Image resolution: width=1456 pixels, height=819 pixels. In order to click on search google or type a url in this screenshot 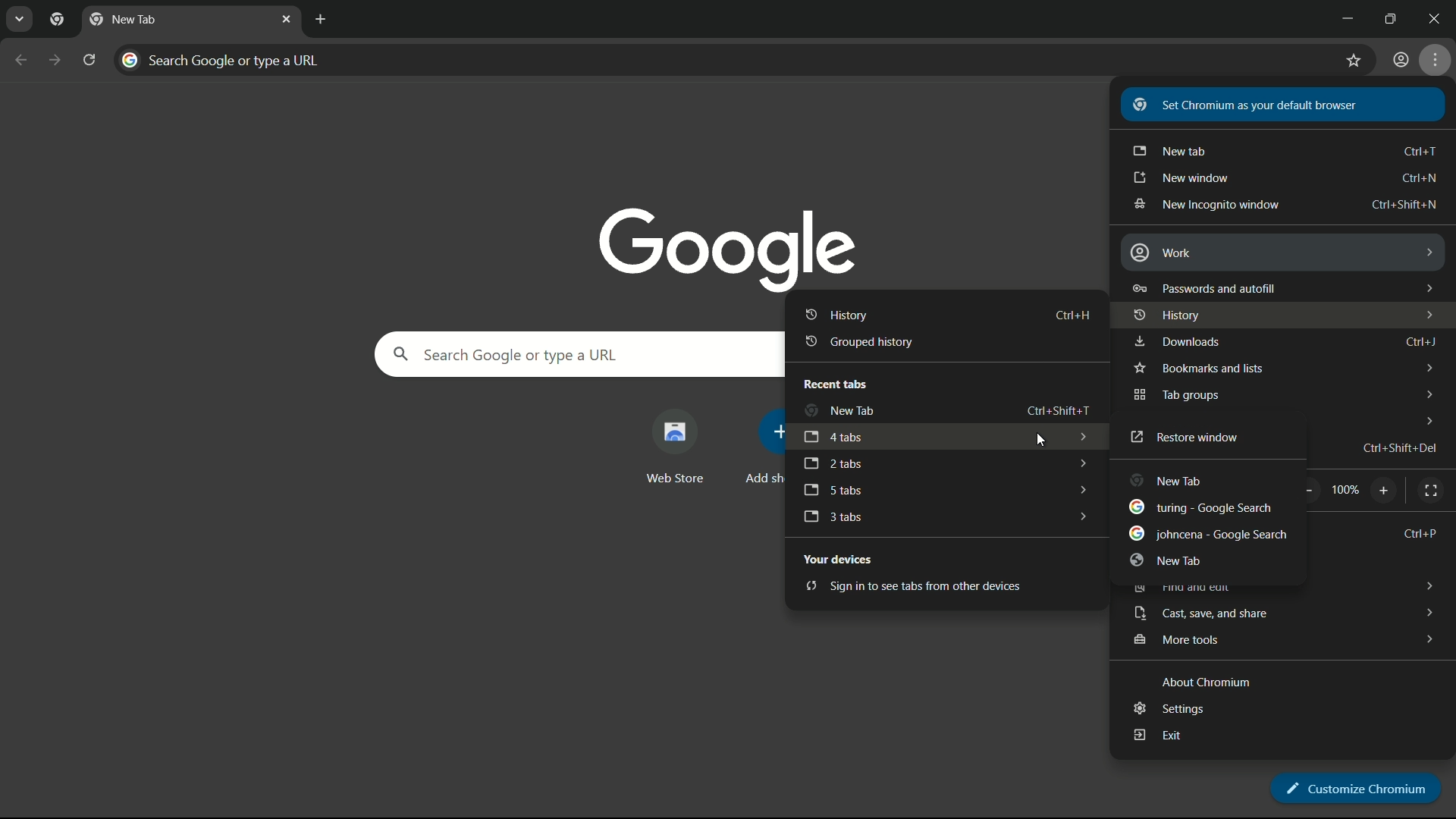, I will do `click(574, 353)`.